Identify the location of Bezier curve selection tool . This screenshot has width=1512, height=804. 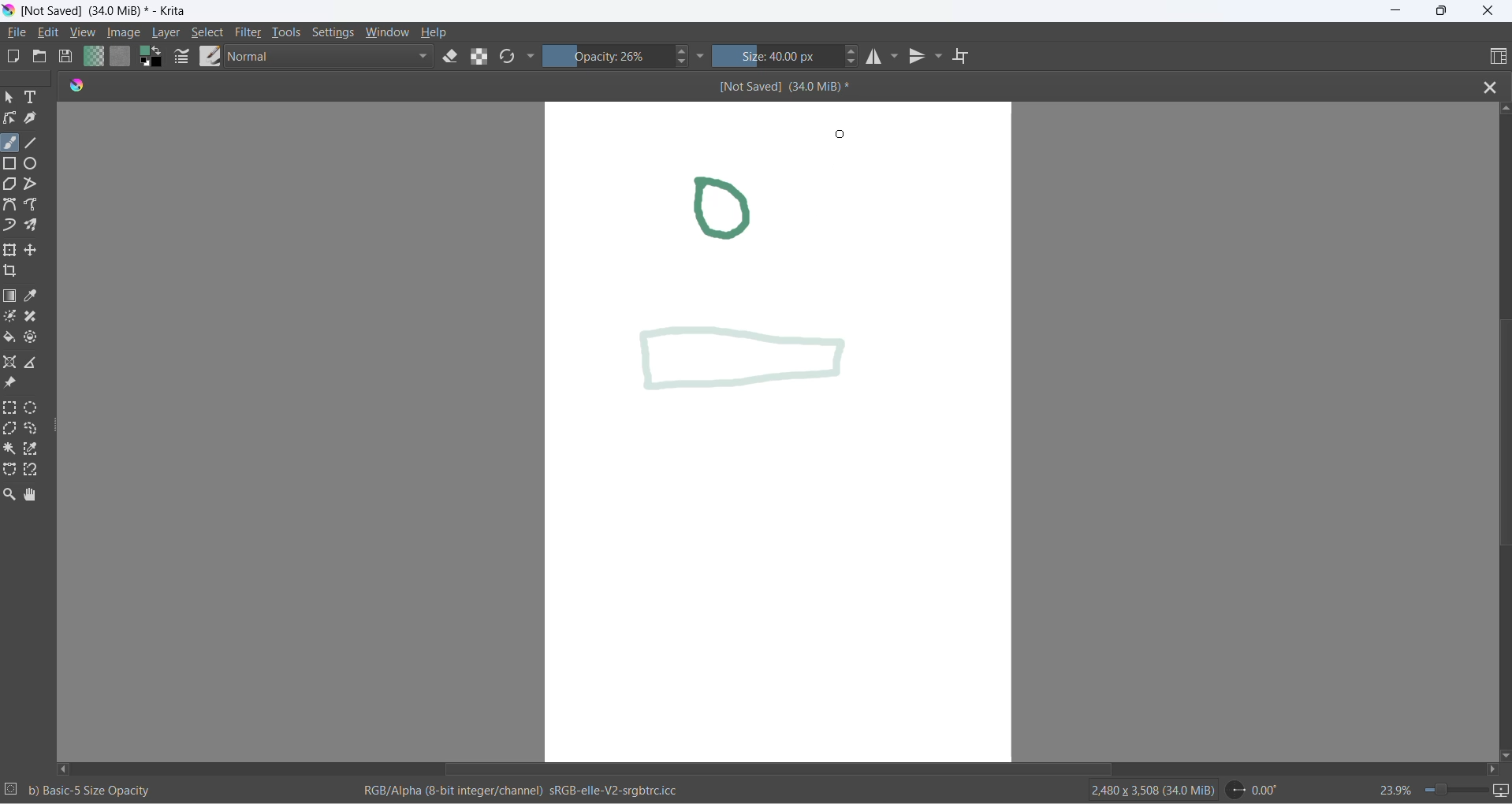
(13, 472).